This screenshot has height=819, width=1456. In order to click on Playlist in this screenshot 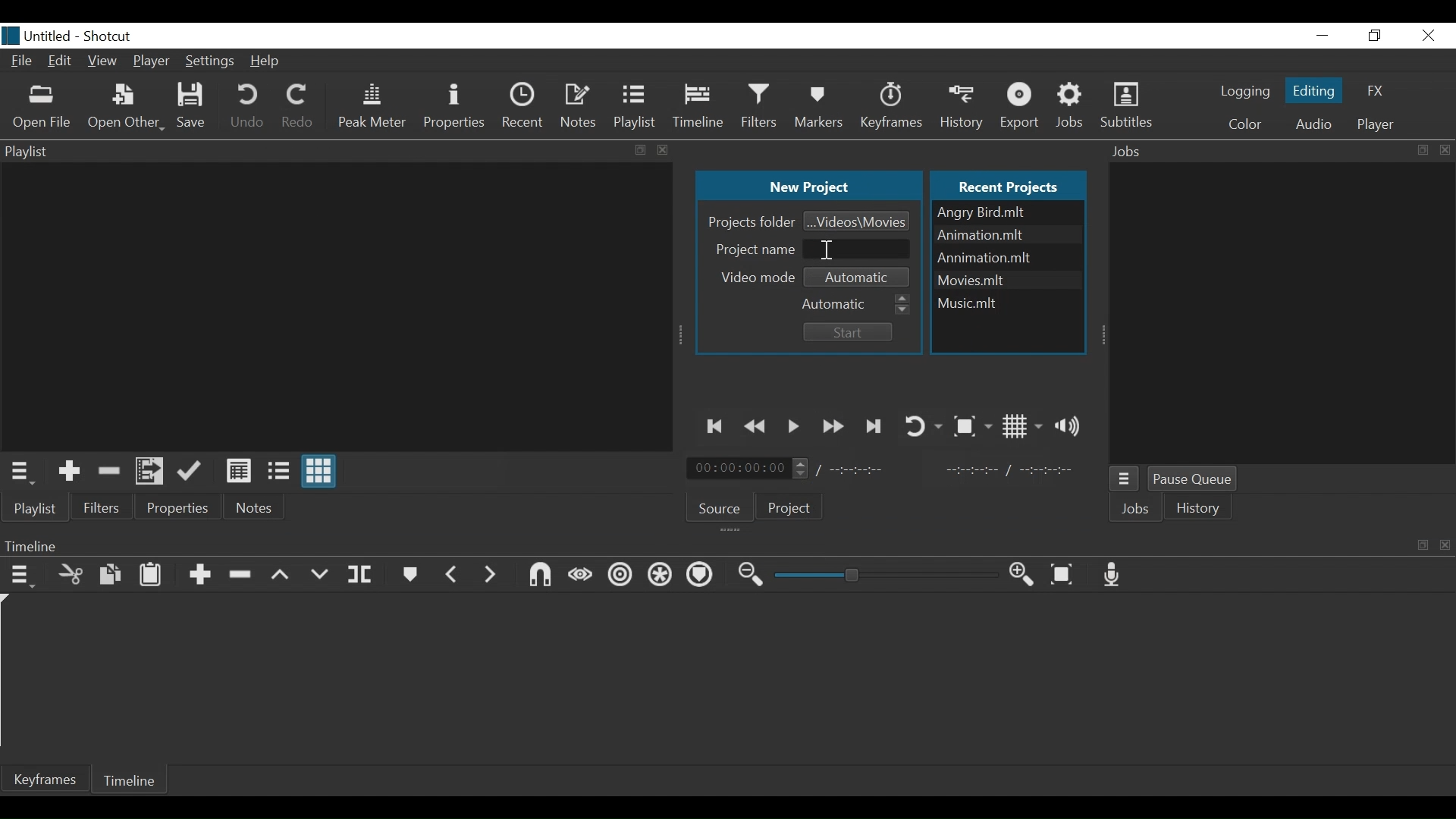, I will do `click(636, 106)`.